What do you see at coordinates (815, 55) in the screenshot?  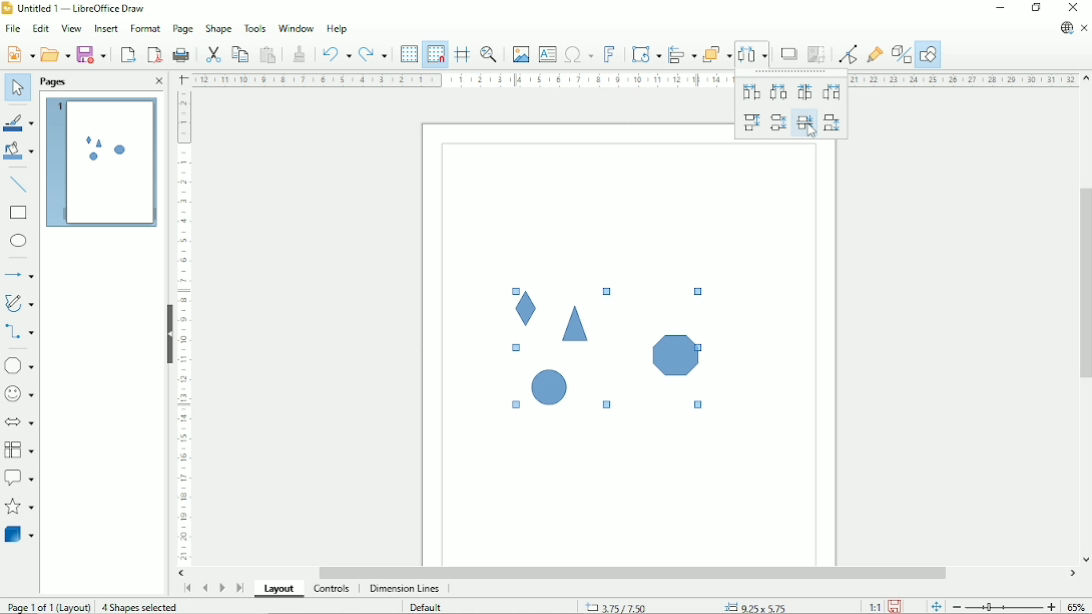 I see `Crop image` at bounding box center [815, 55].